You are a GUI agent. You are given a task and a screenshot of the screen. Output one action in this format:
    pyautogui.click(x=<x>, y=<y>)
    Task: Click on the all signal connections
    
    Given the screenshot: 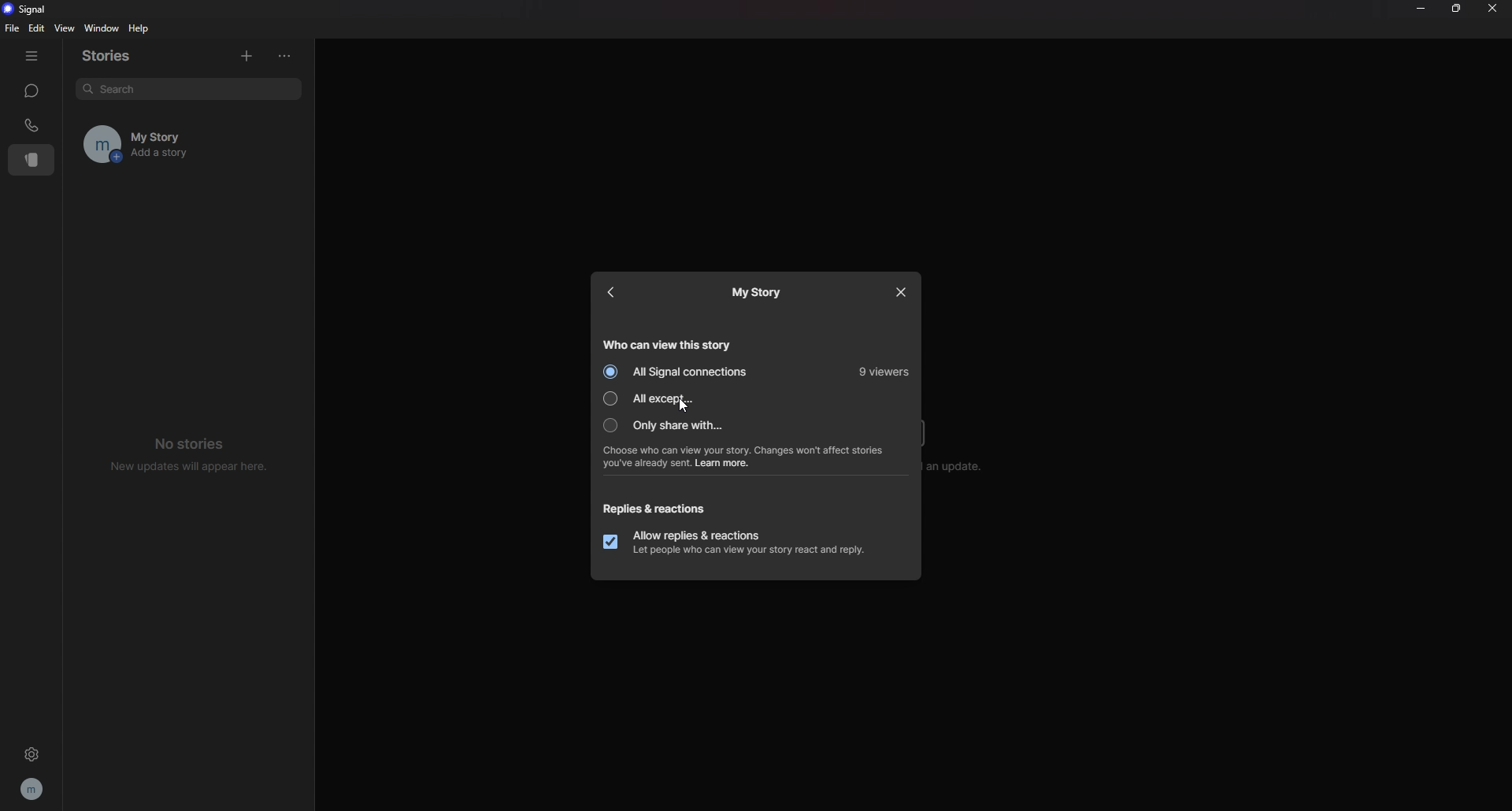 What is the action you would take?
    pyautogui.click(x=680, y=372)
    